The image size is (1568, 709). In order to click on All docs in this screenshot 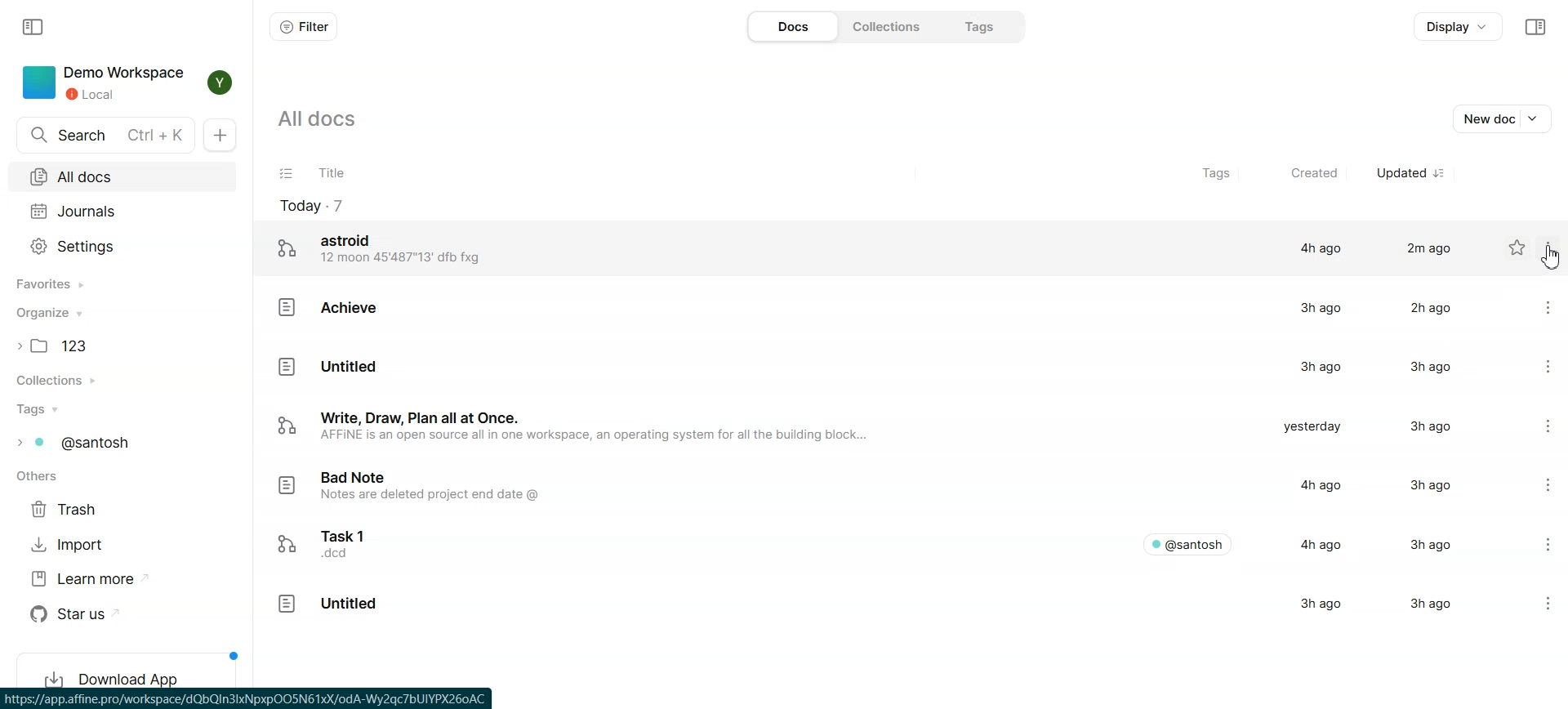, I will do `click(123, 177)`.